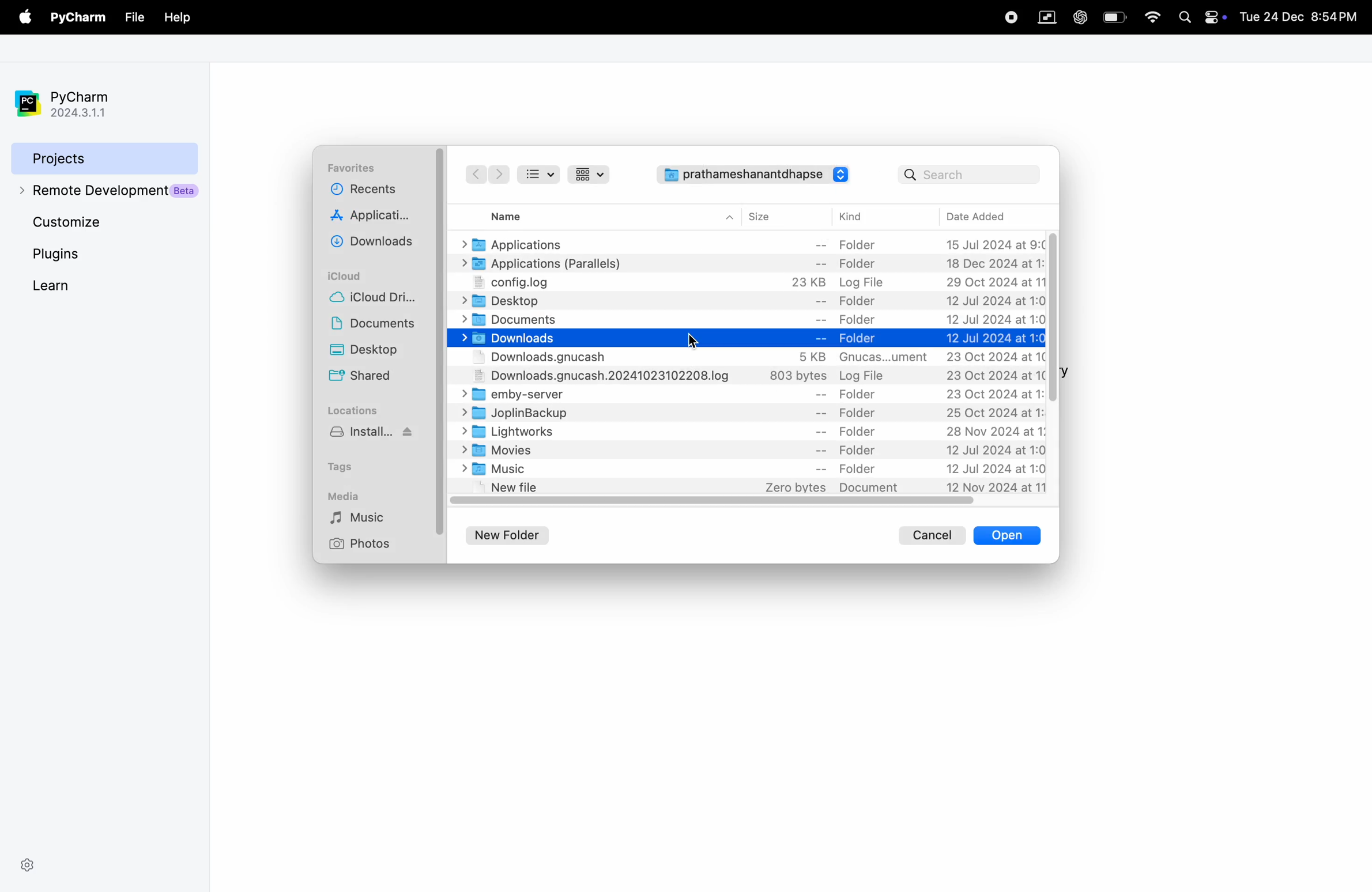 This screenshot has width=1372, height=892. Describe the element at coordinates (854, 217) in the screenshot. I see `kind` at that location.